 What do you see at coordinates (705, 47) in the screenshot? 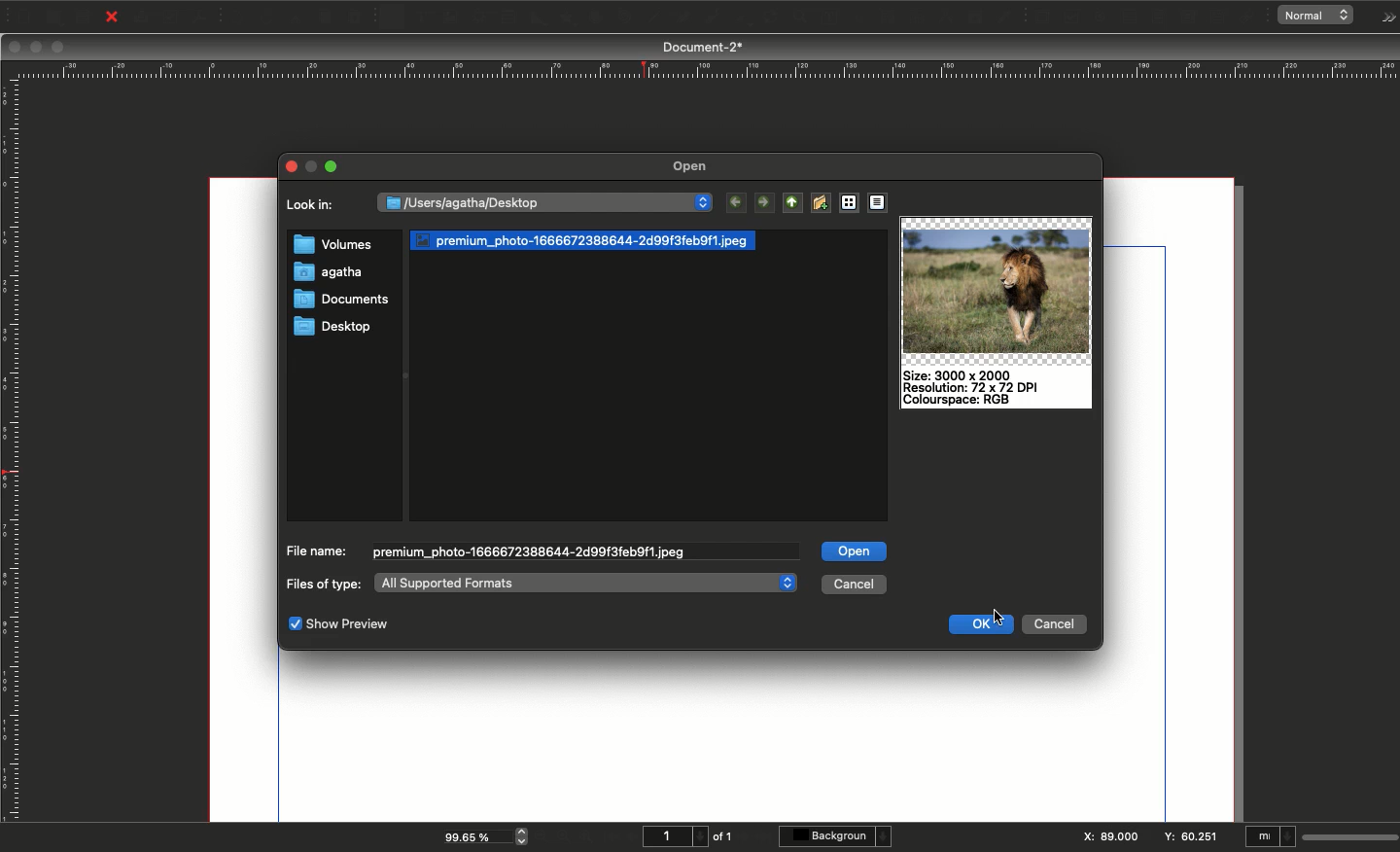
I see `Document-2*` at bounding box center [705, 47].